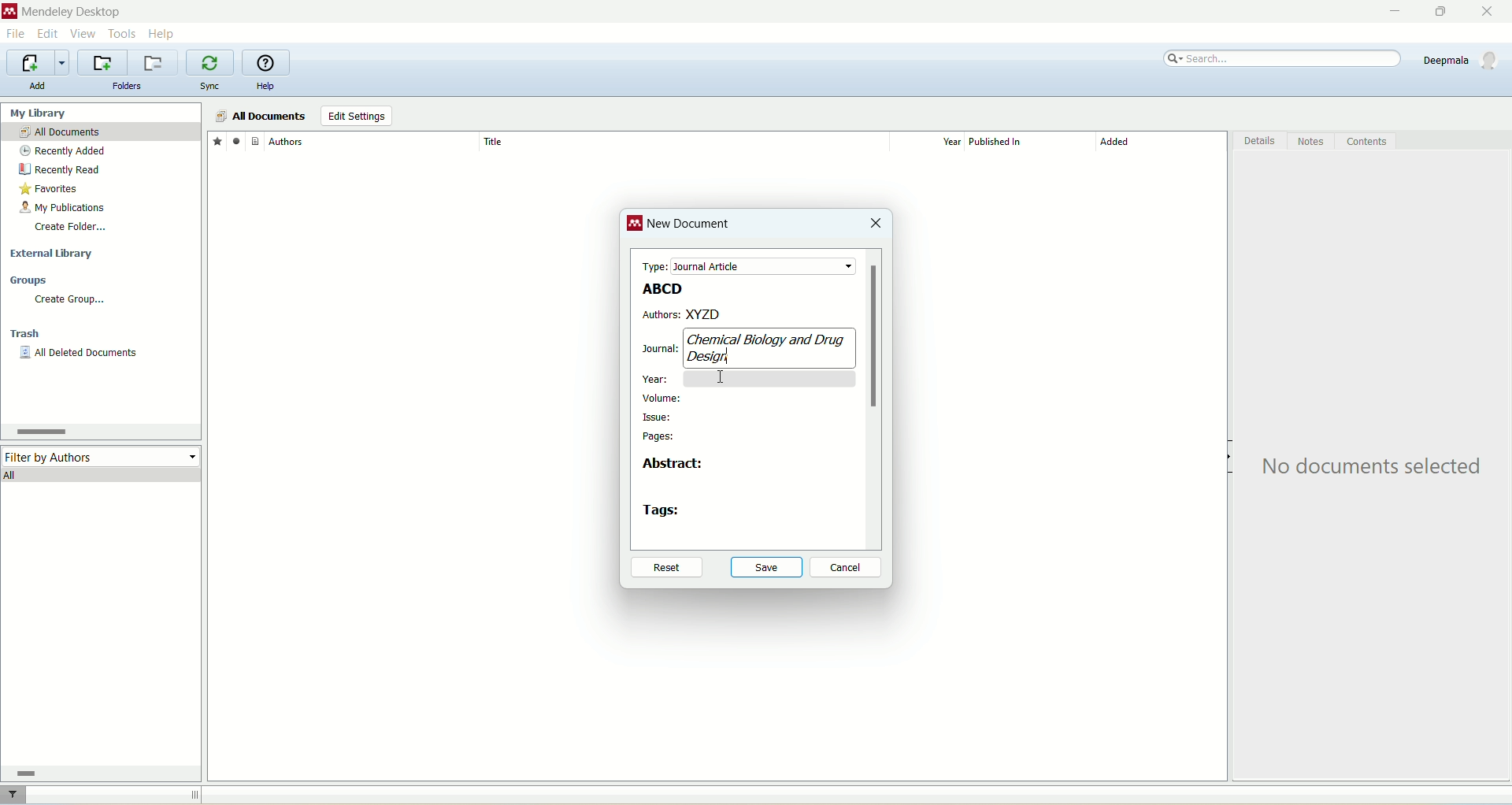 Image resolution: width=1512 pixels, height=805 pixels. I want to click on tools, so click(123, 32).